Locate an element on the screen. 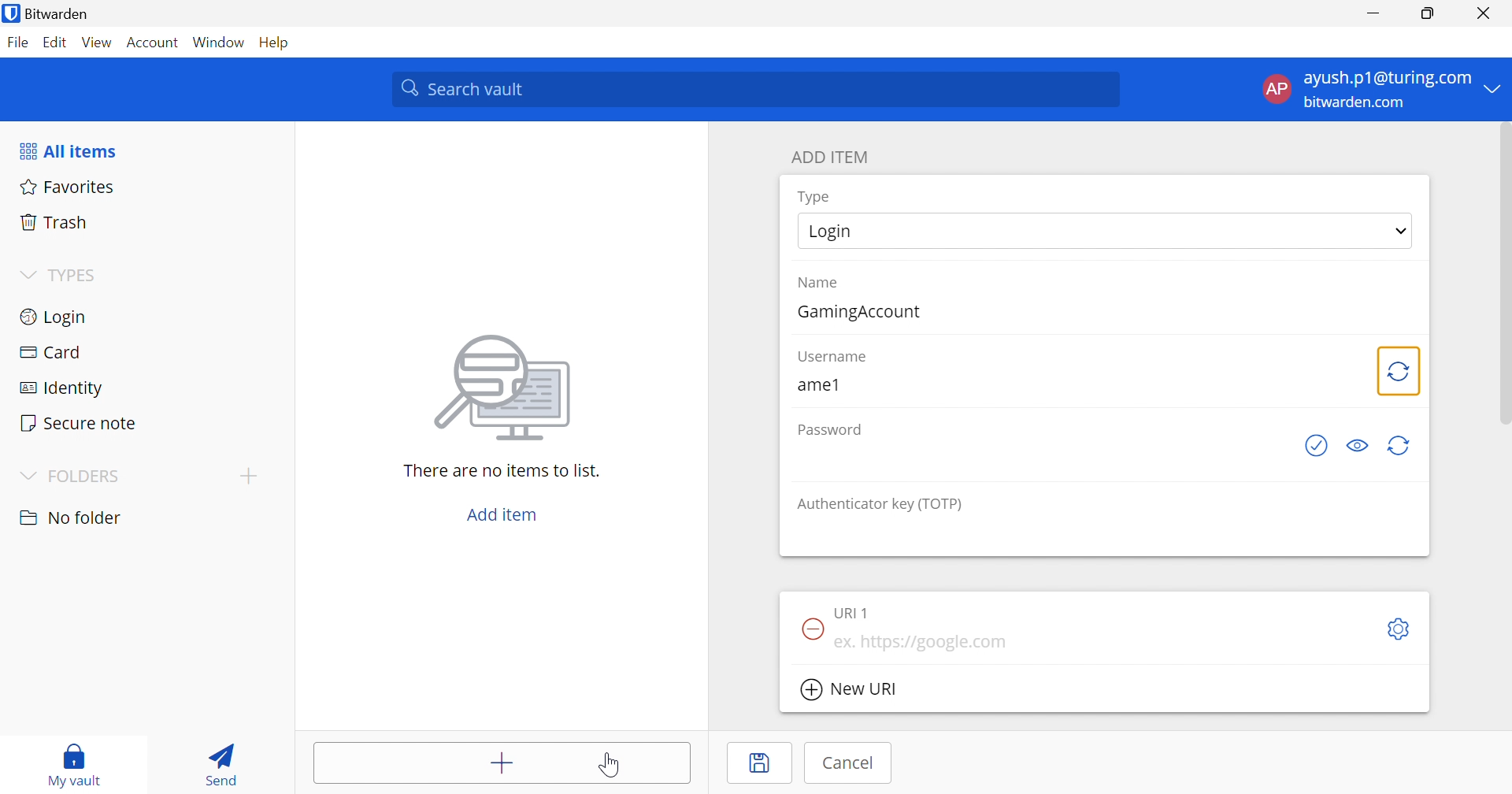 Image resolution: width=1512 pixels, height=794 pixels. No folder is located at coordinates (73, 518).